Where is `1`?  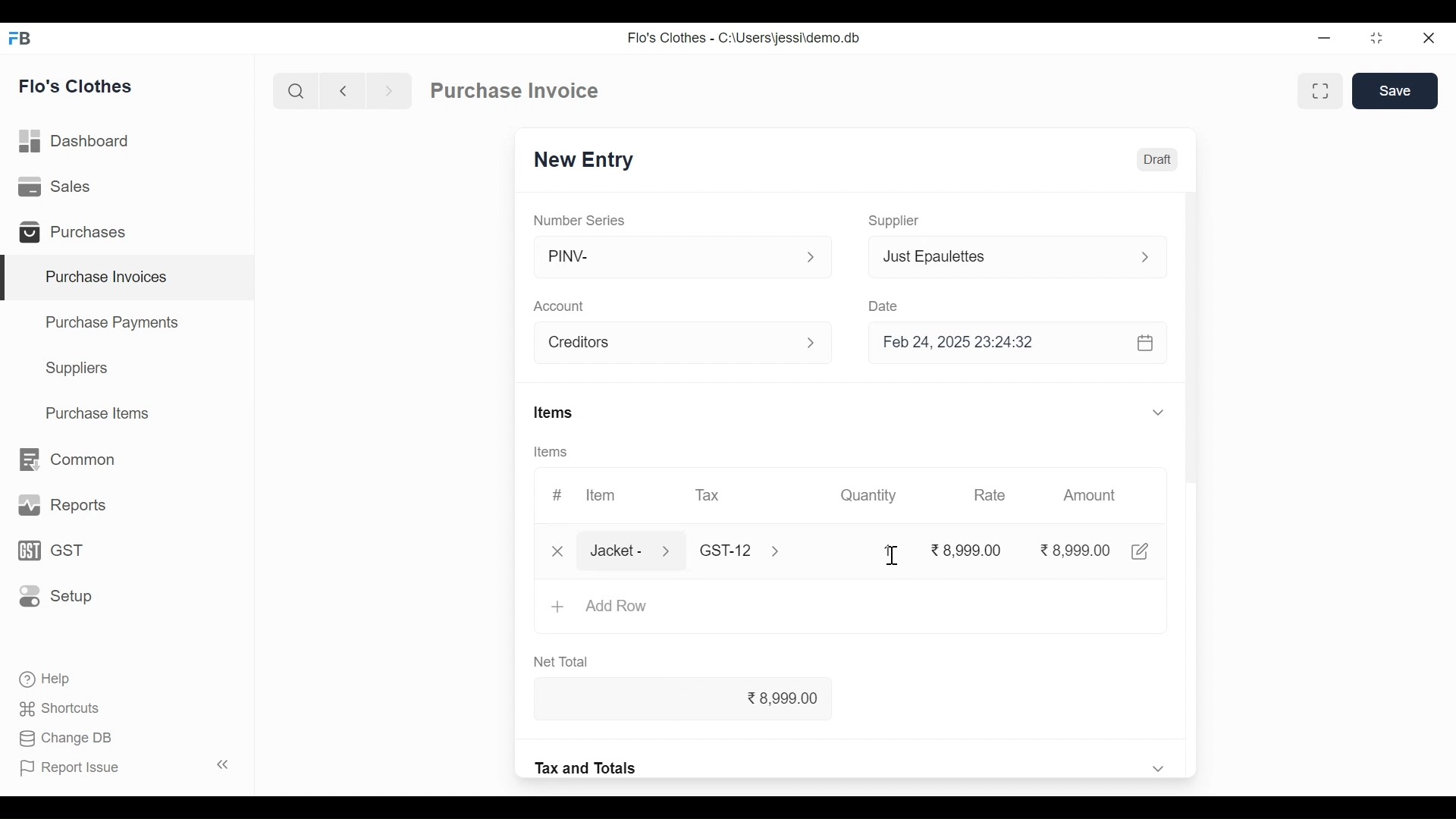 1 is located at coordinates (885, 551).